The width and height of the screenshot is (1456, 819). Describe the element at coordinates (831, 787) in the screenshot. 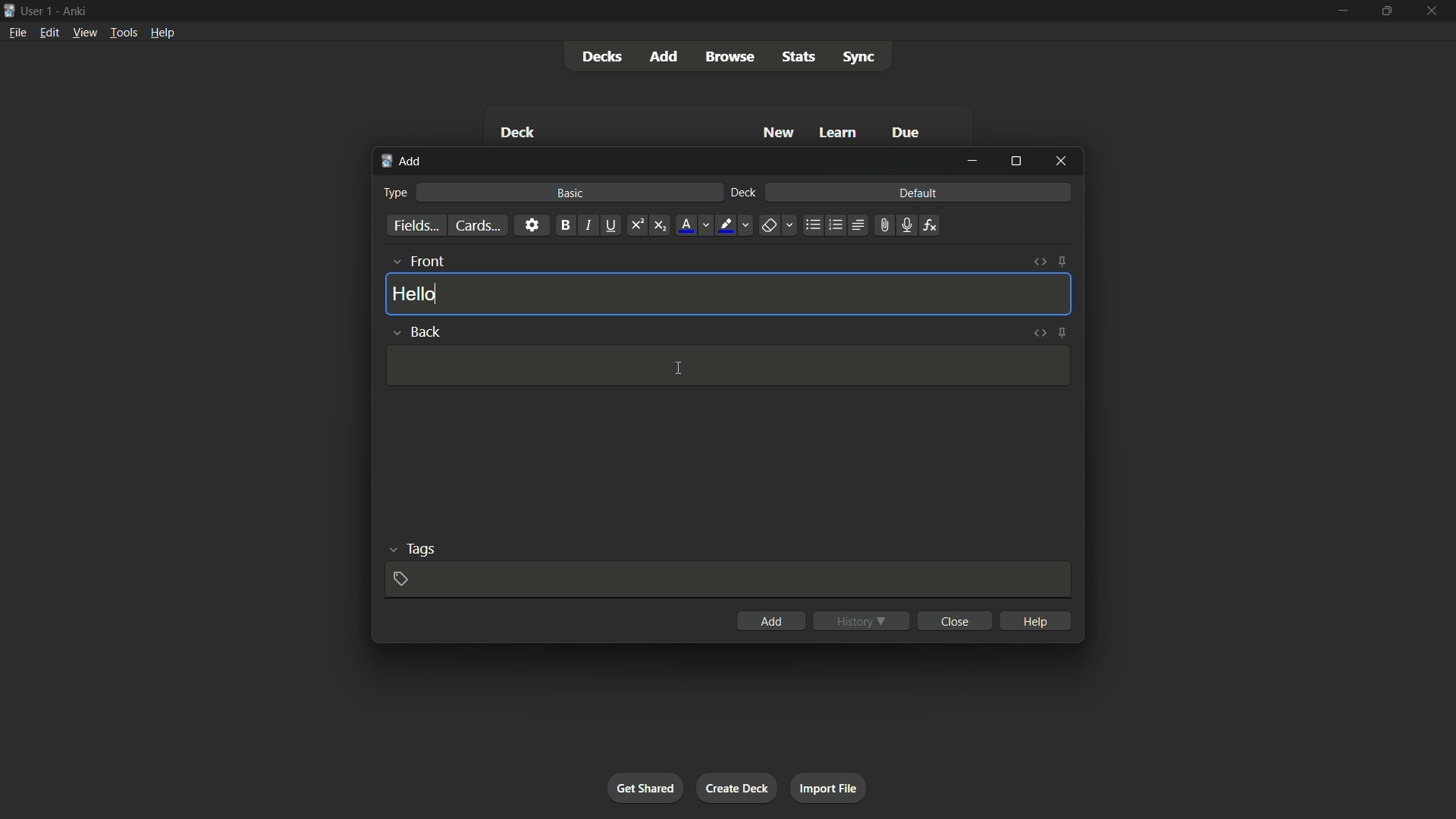

I see `import file` at that location.